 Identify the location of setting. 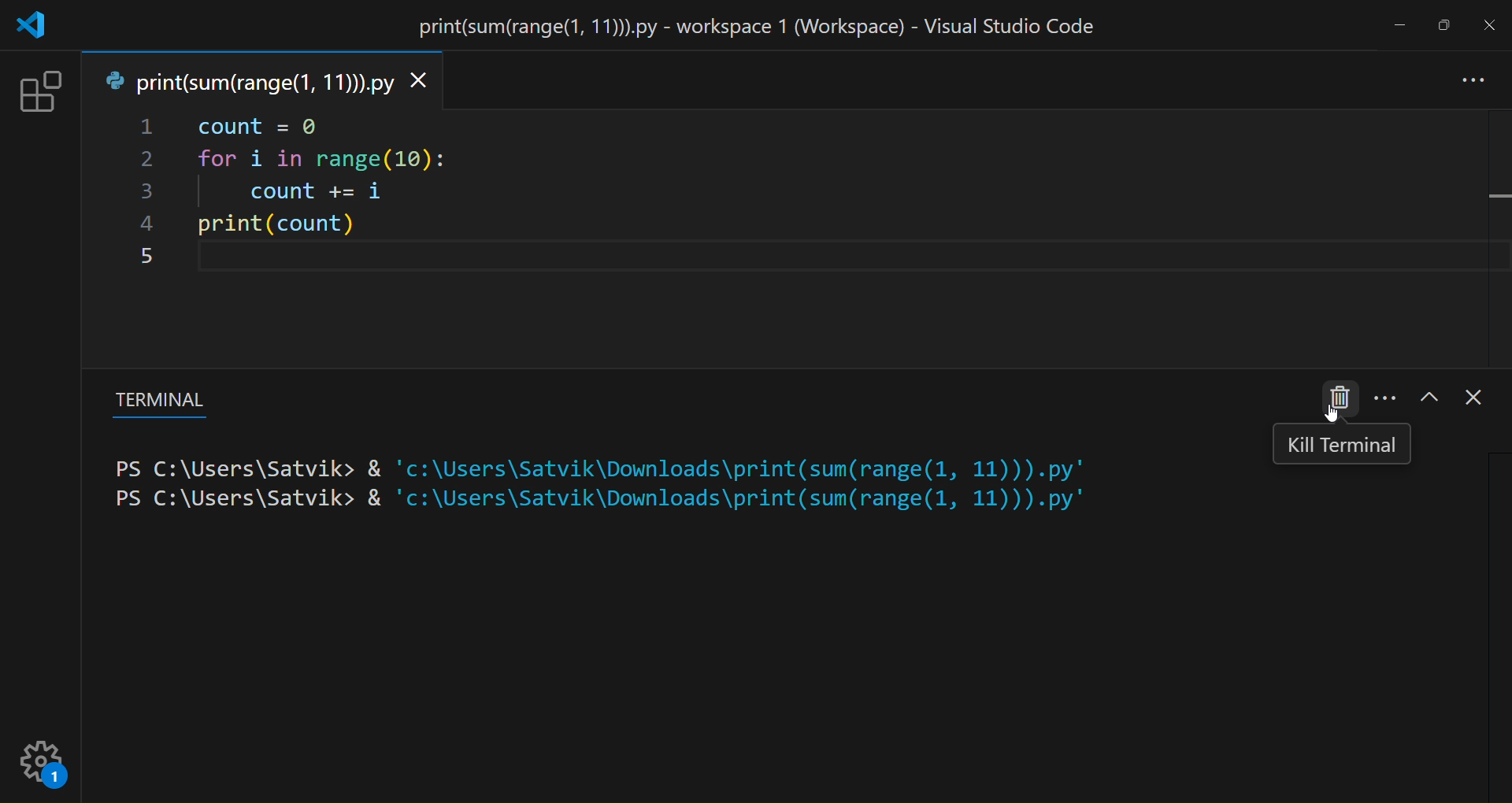
(43, 766).